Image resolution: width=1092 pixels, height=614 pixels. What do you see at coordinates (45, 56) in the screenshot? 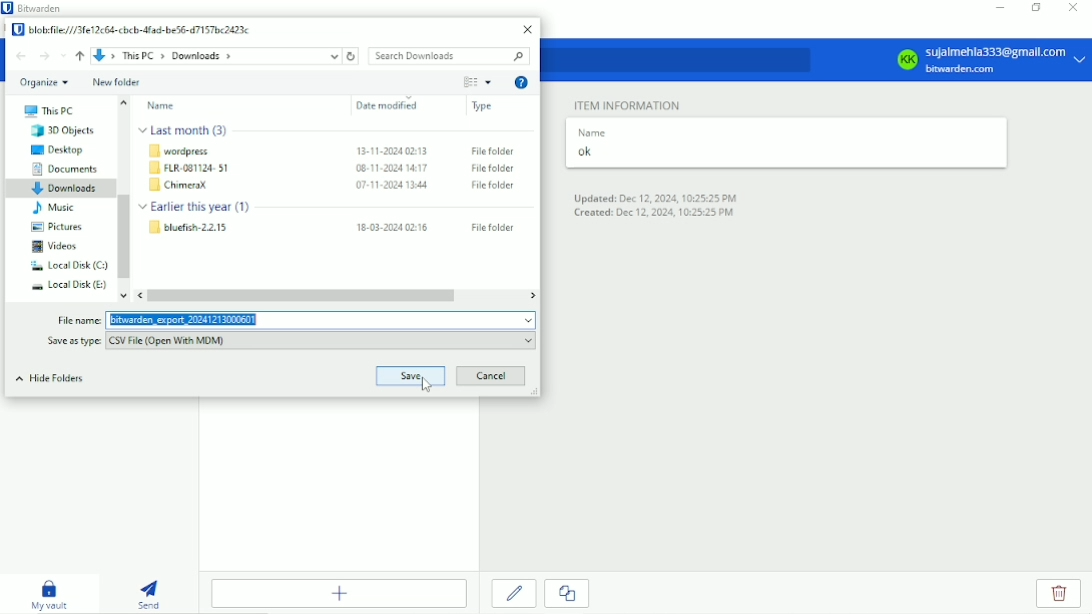
I see `Forward` at bounding box center [45, 56].